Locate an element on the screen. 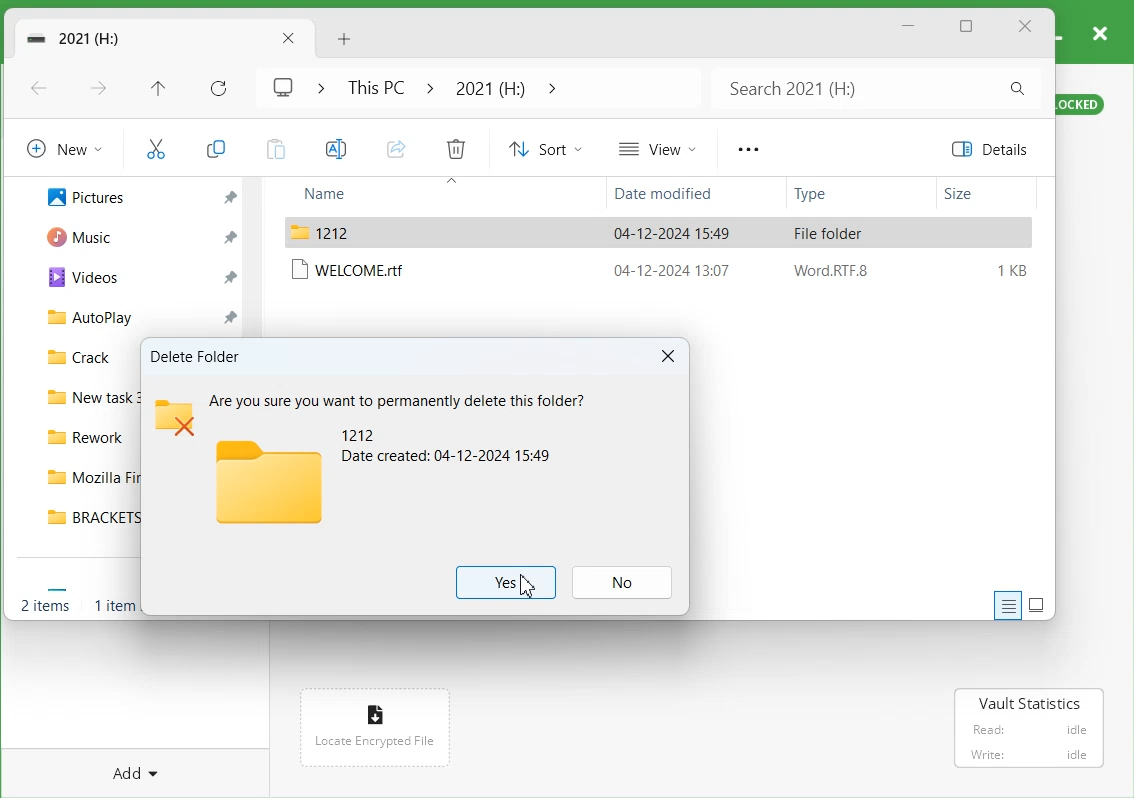  Share is located at coordinates (395, 148).